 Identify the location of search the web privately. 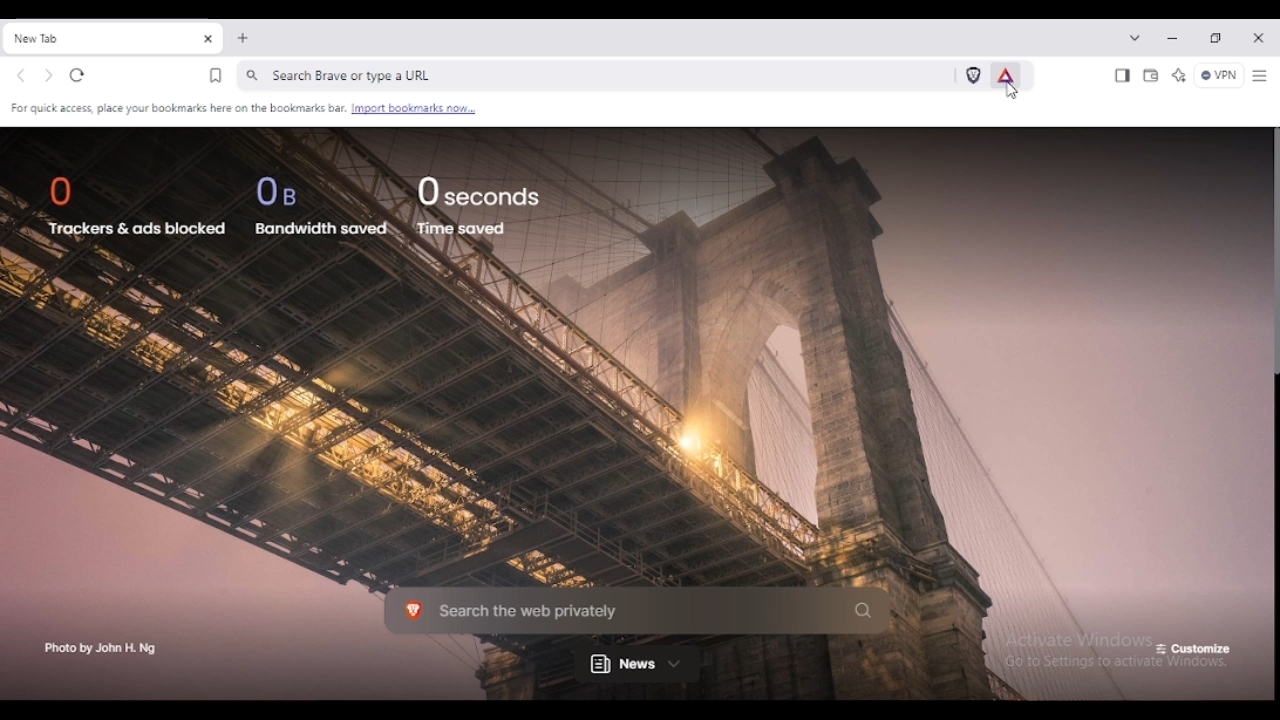
(638, 611).